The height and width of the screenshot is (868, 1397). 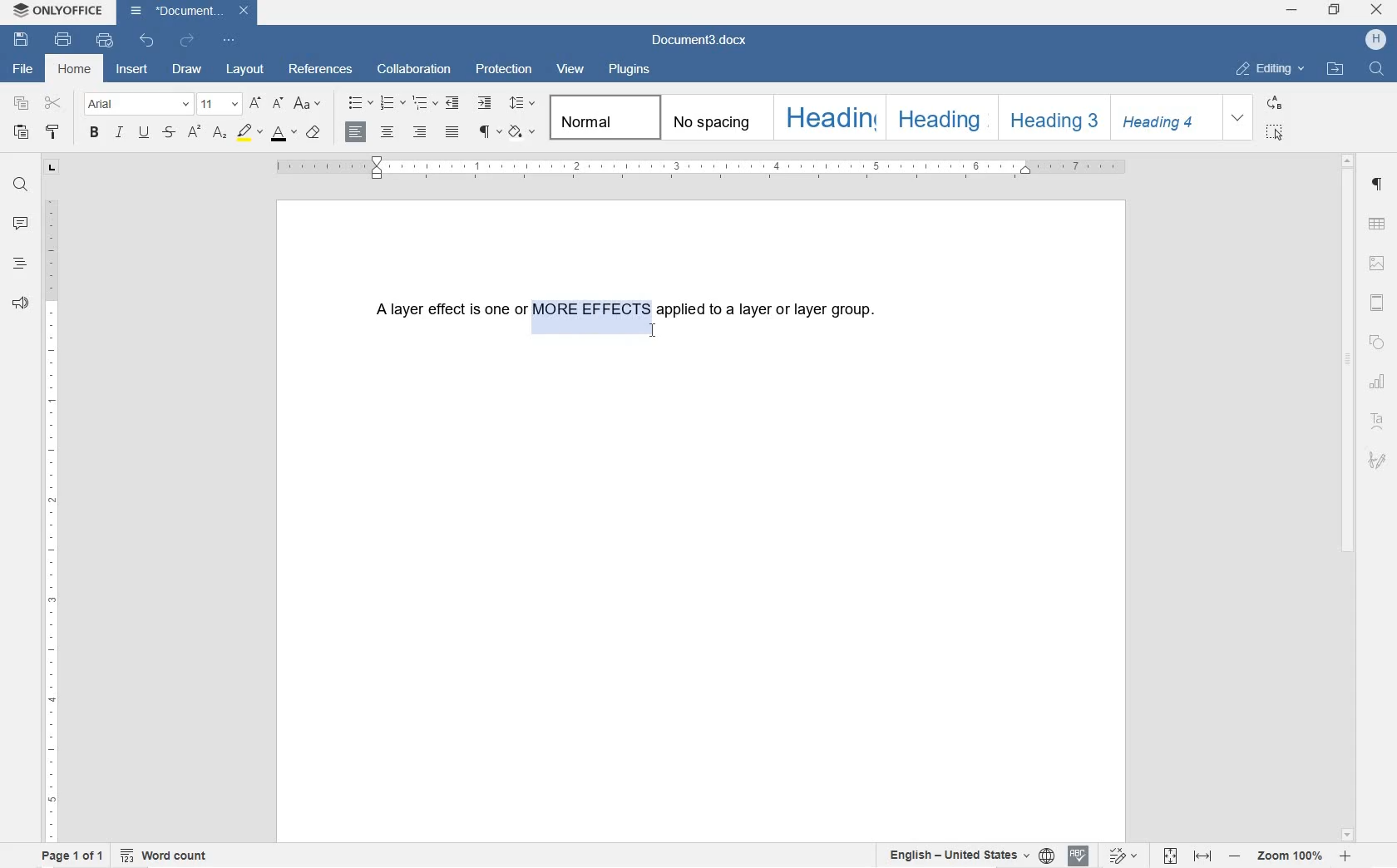 What do you see at coordinates (570, 70) in the screenshot?
I see `VIEW` at bounding box center [570, 70].